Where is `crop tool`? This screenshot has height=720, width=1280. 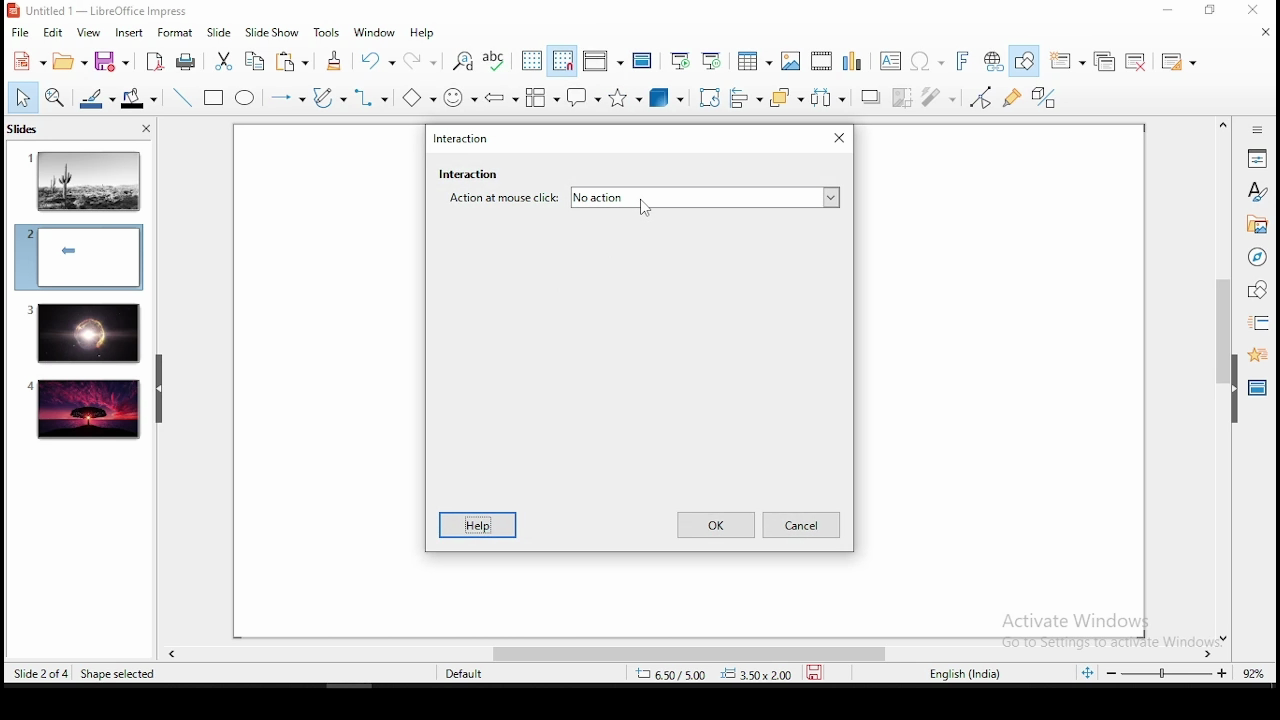
crop tool is located at coordinates (710, 98).